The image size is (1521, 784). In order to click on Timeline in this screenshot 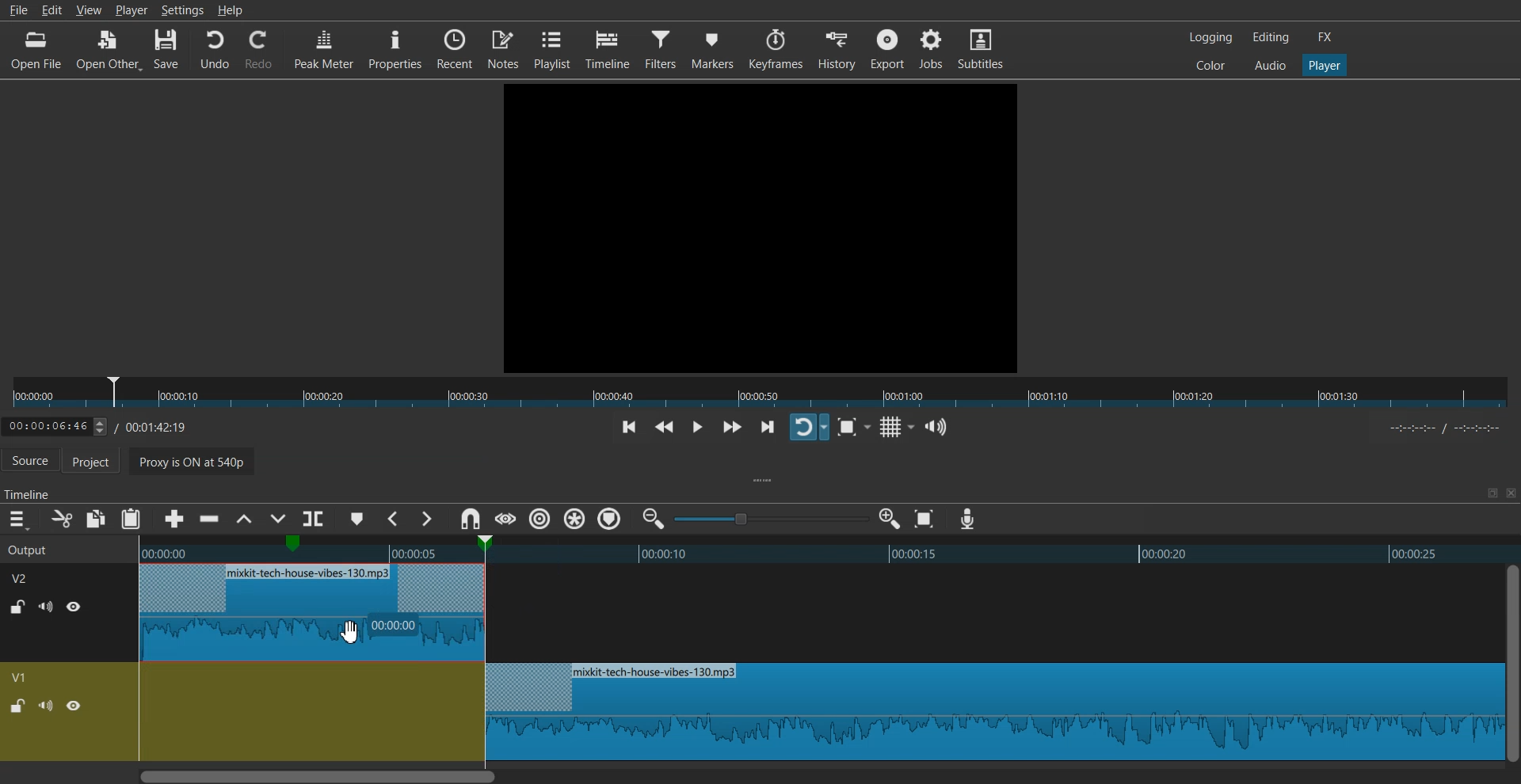, I will do `click(609, 49)`.